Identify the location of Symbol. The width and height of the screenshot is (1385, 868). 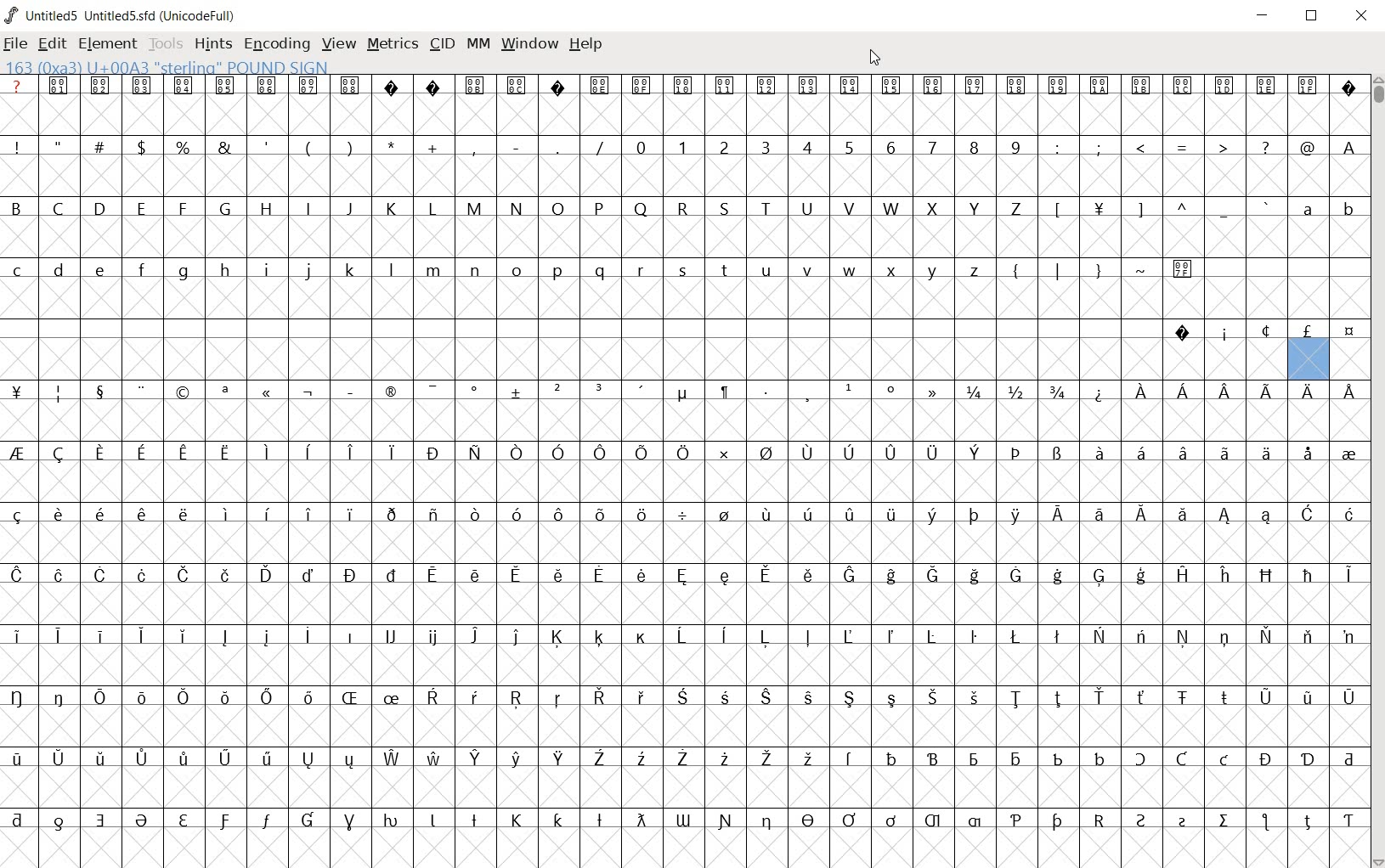
(1183, 821).